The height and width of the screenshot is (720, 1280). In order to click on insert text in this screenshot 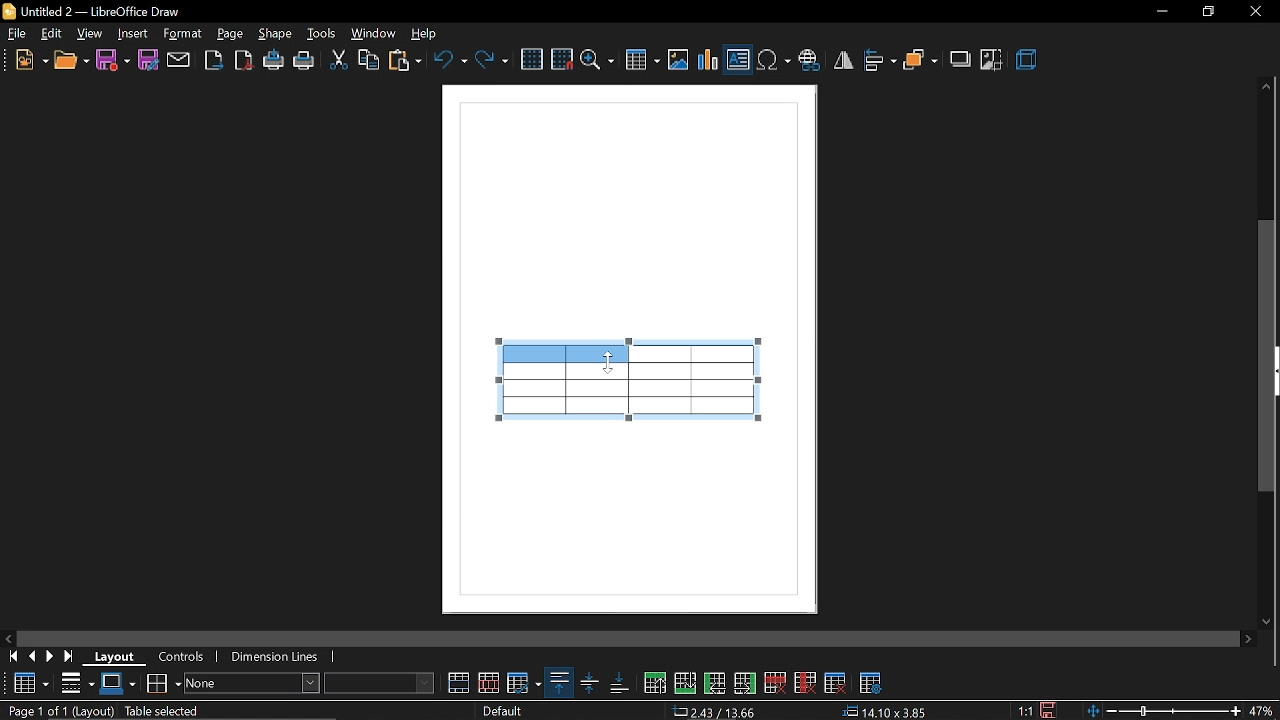, I will do `click(739, 58)`.